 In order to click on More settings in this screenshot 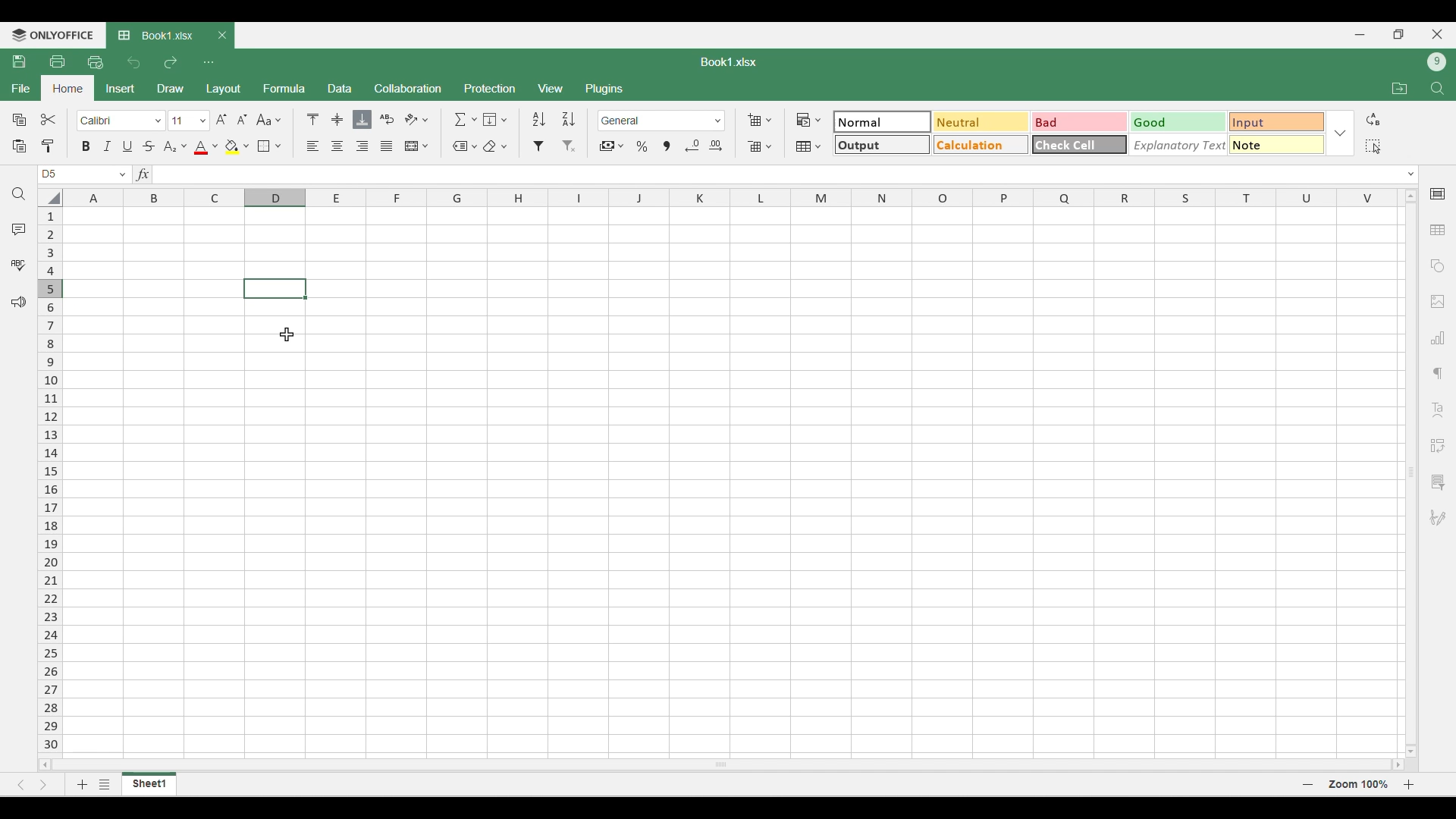, I will do `click(1437, 482)`.